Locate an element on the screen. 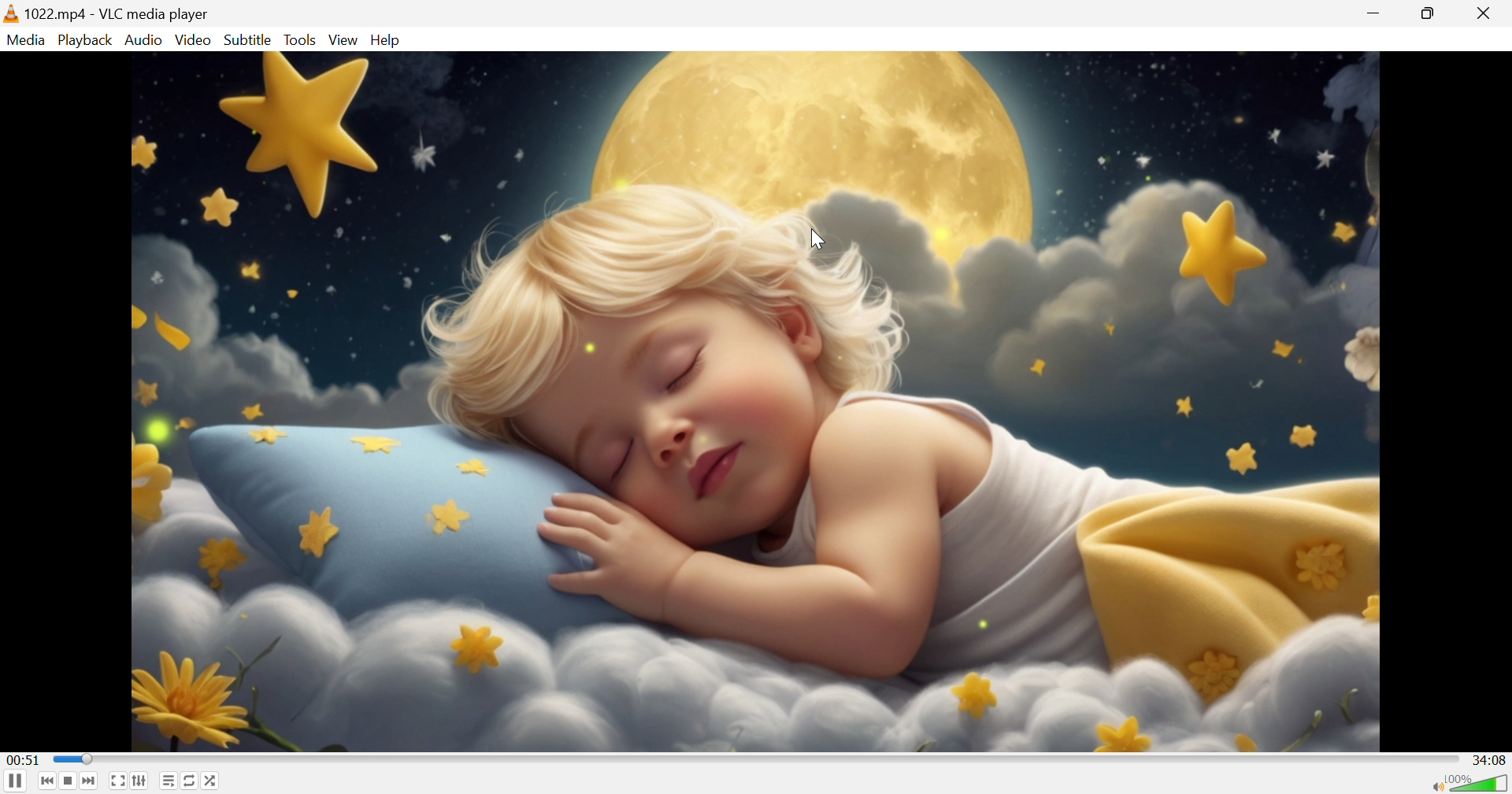  Show extended settings is located at coordinates (143, 783).